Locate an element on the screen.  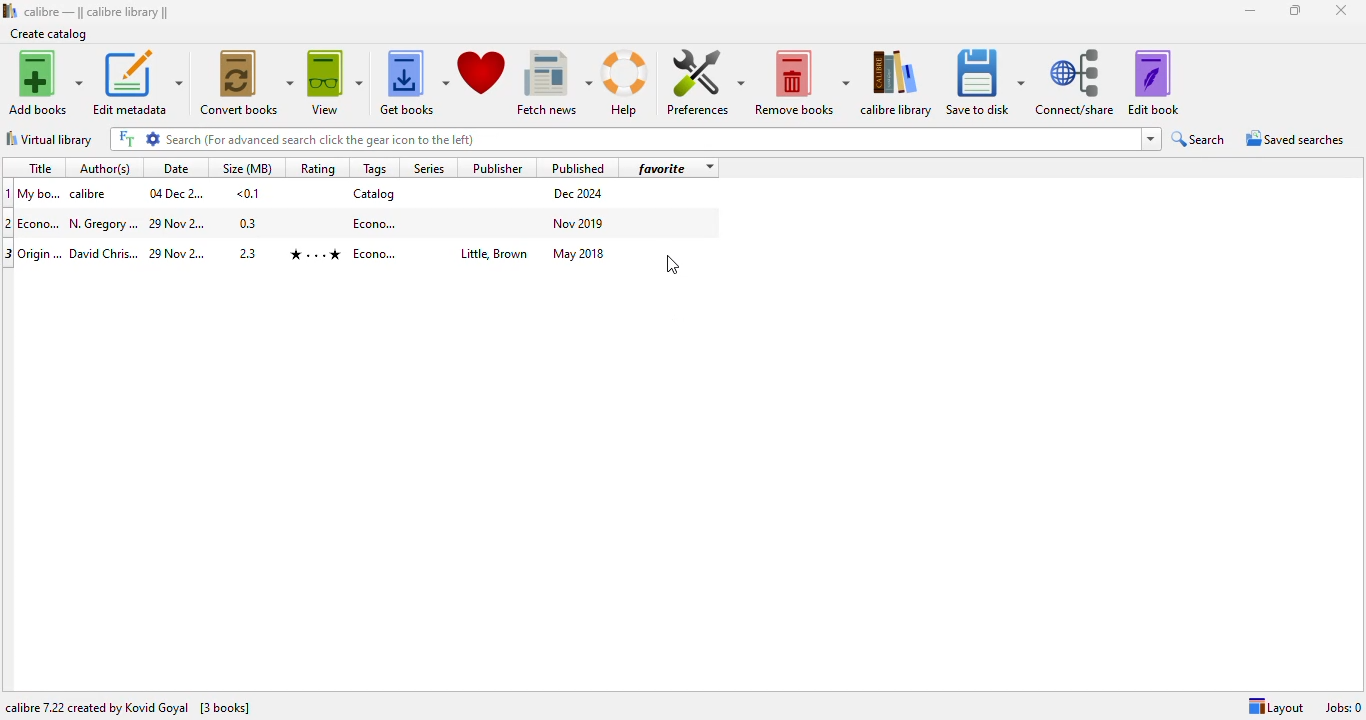
2 is located at coordinates (9, 223).